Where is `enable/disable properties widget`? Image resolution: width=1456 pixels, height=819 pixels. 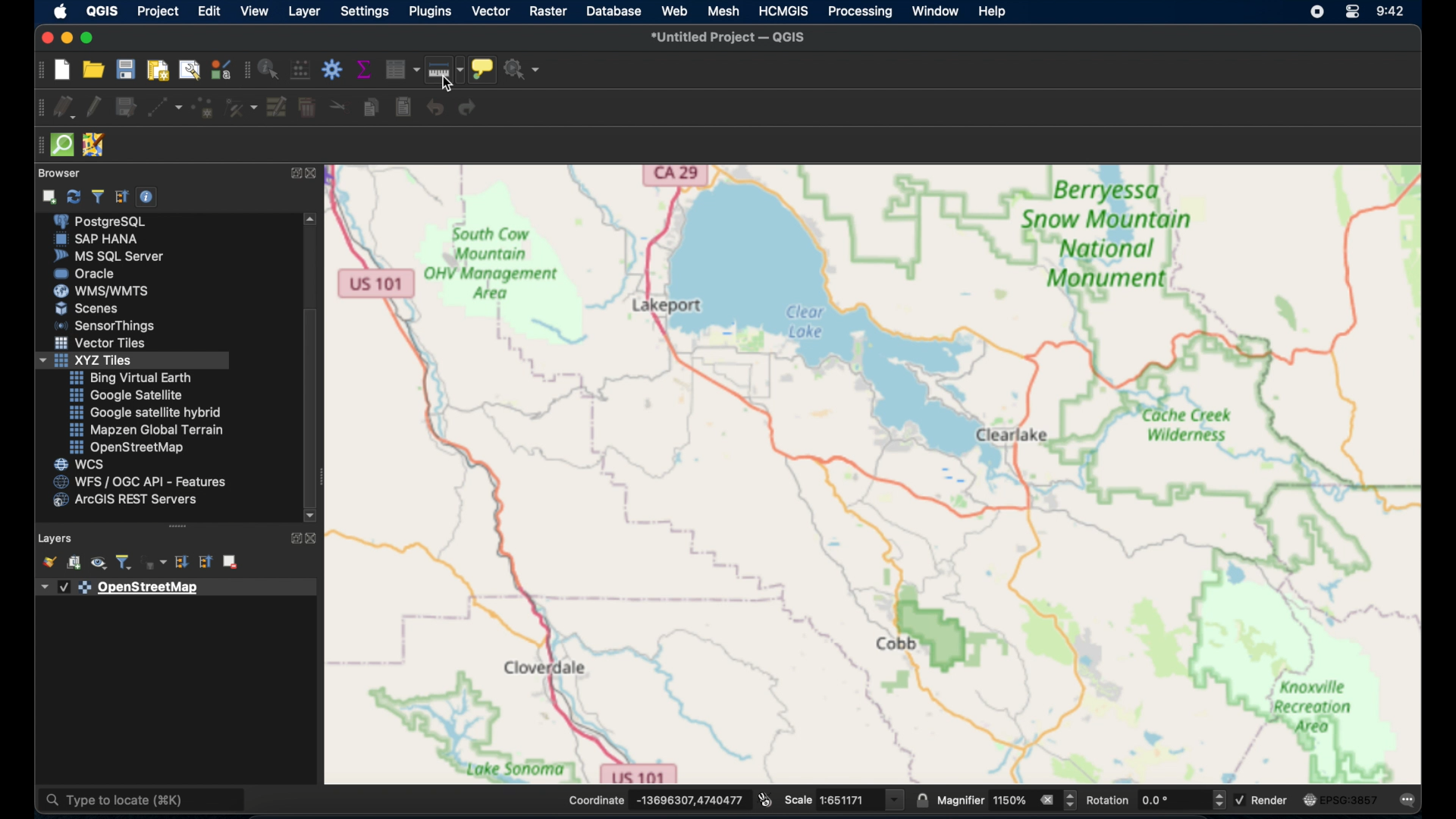
enable/disable properties widget is located at coordinates (146, 197).